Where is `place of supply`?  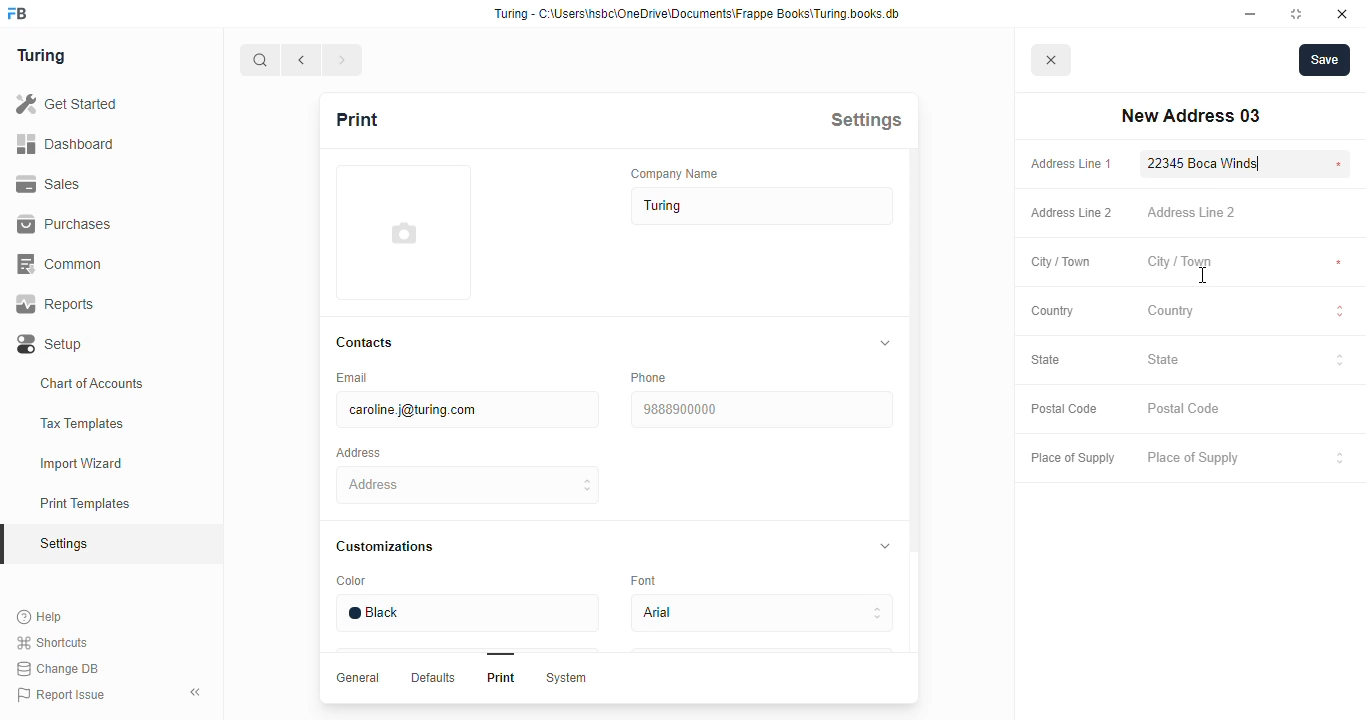
place of supply is located at coordinates (1247, 459).